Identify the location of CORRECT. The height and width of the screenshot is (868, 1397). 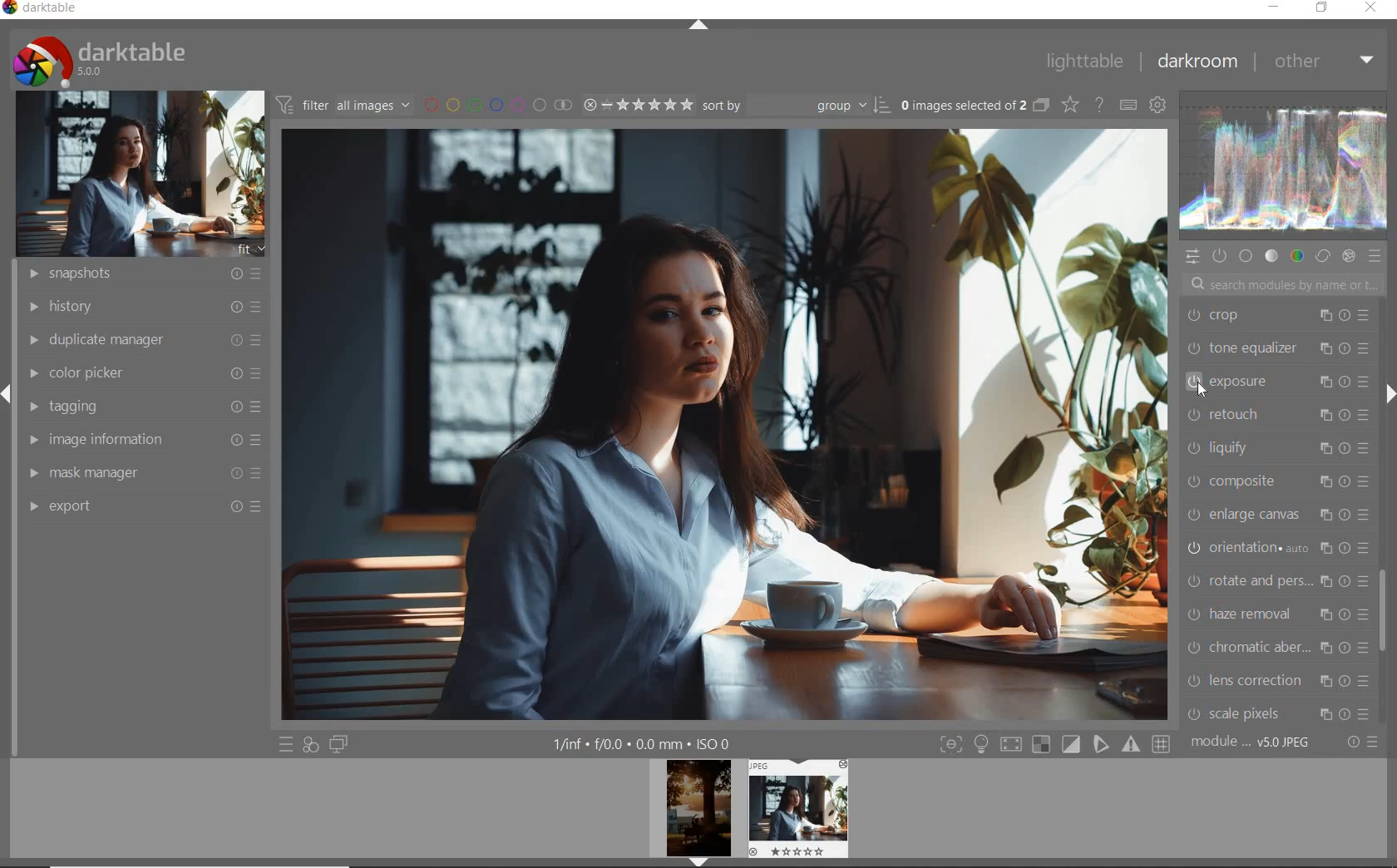
(1322, 254).